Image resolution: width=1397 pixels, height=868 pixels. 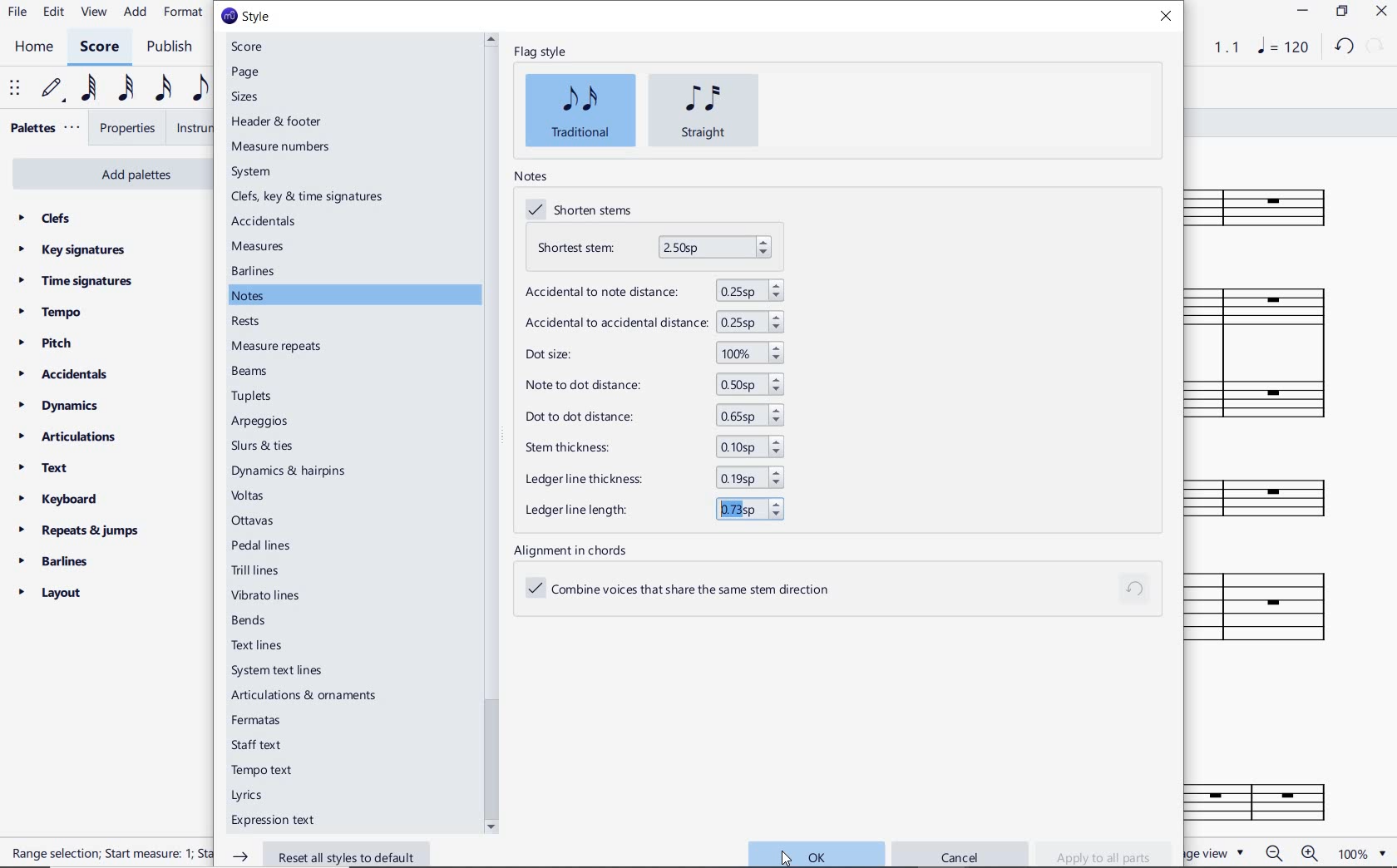 I want to click on Instrument: Flute, so click(x=1269, y=205).